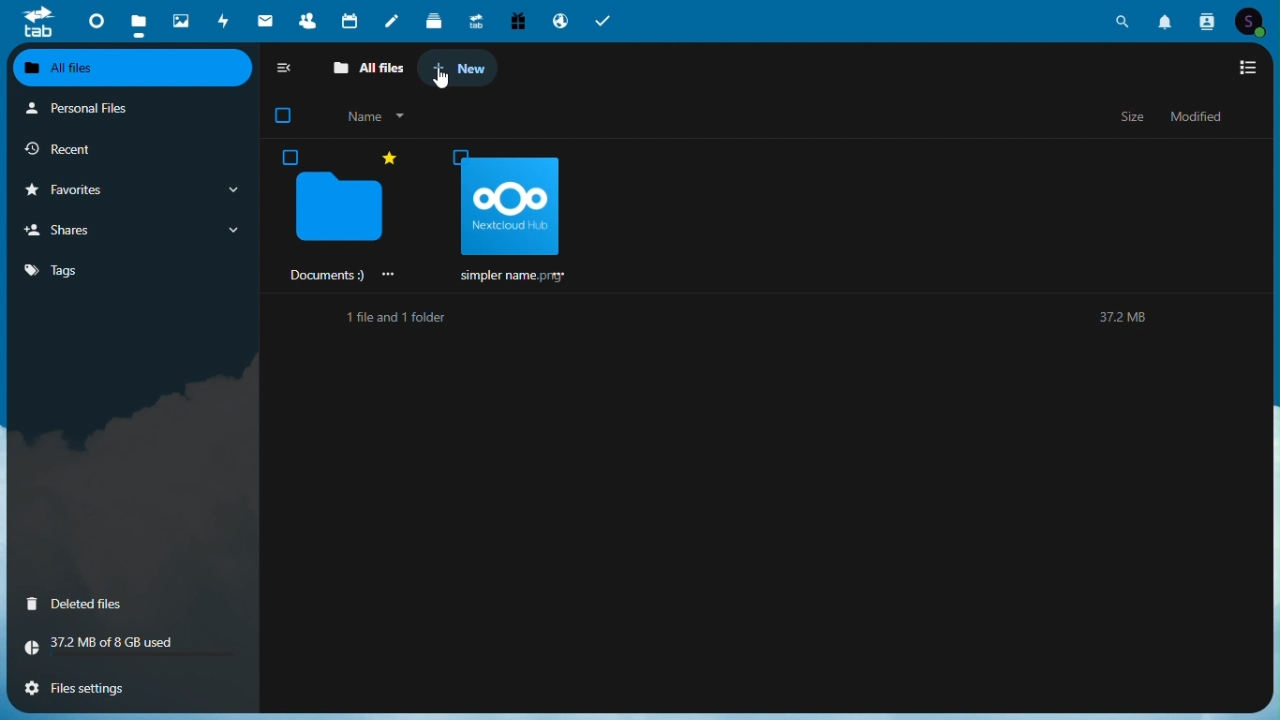  I want to click on Tasks, so click(604, 19).